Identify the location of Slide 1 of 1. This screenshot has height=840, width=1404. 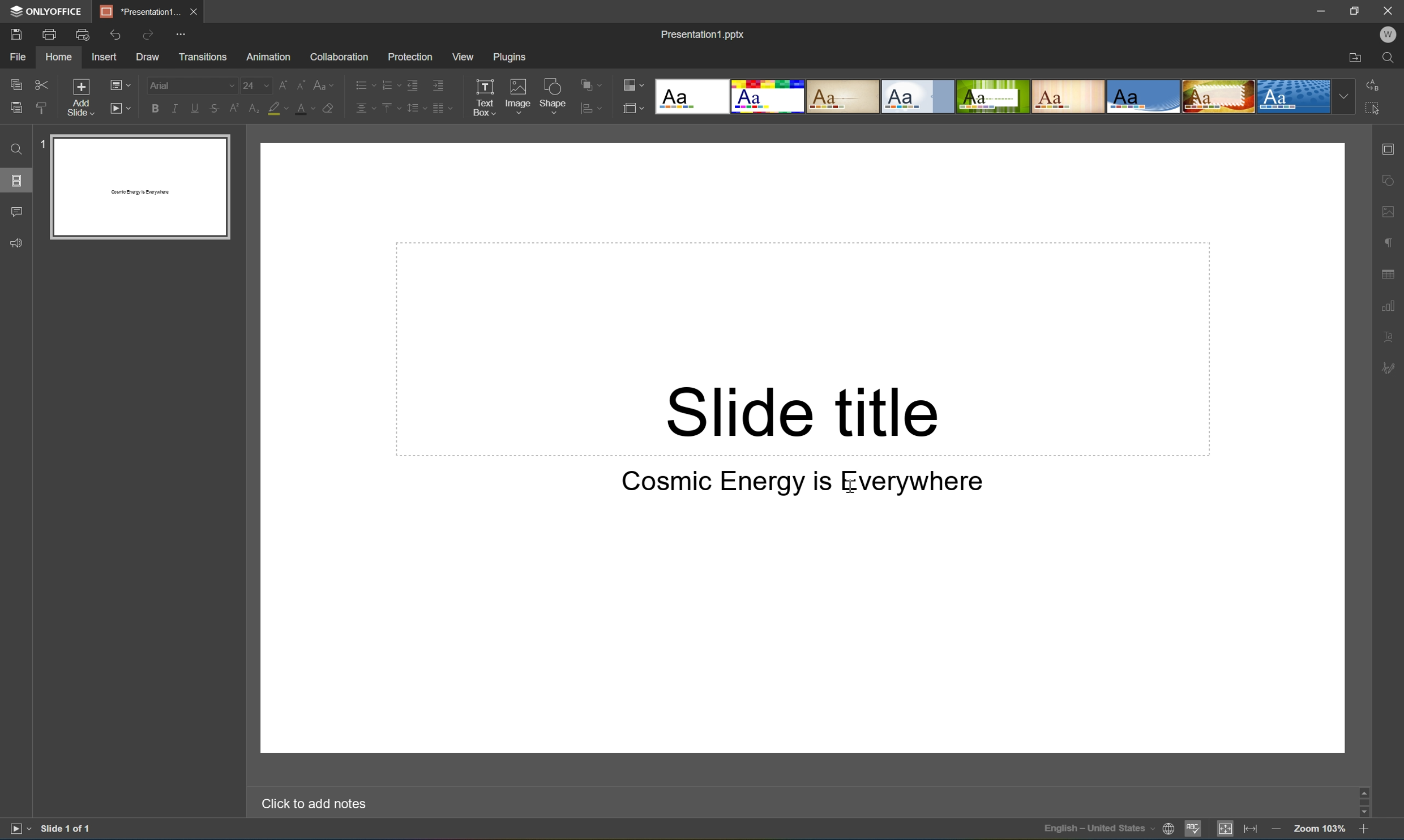
(67, 830).